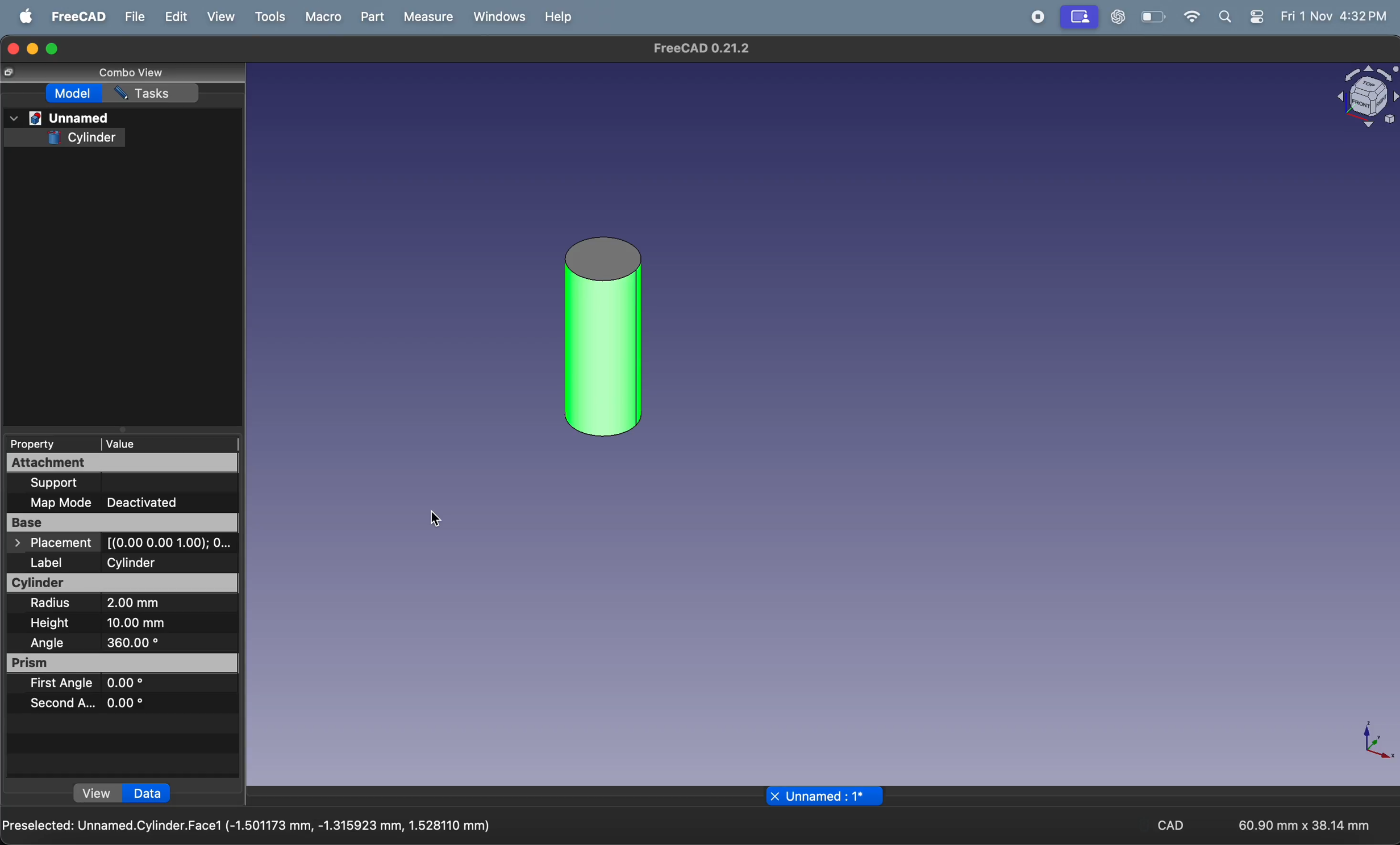 This screenshot has height=845, width=1400. What do you see at coordinates (56, 604) in the screenshot?
I see `radius` at bounding box center [56, 604].